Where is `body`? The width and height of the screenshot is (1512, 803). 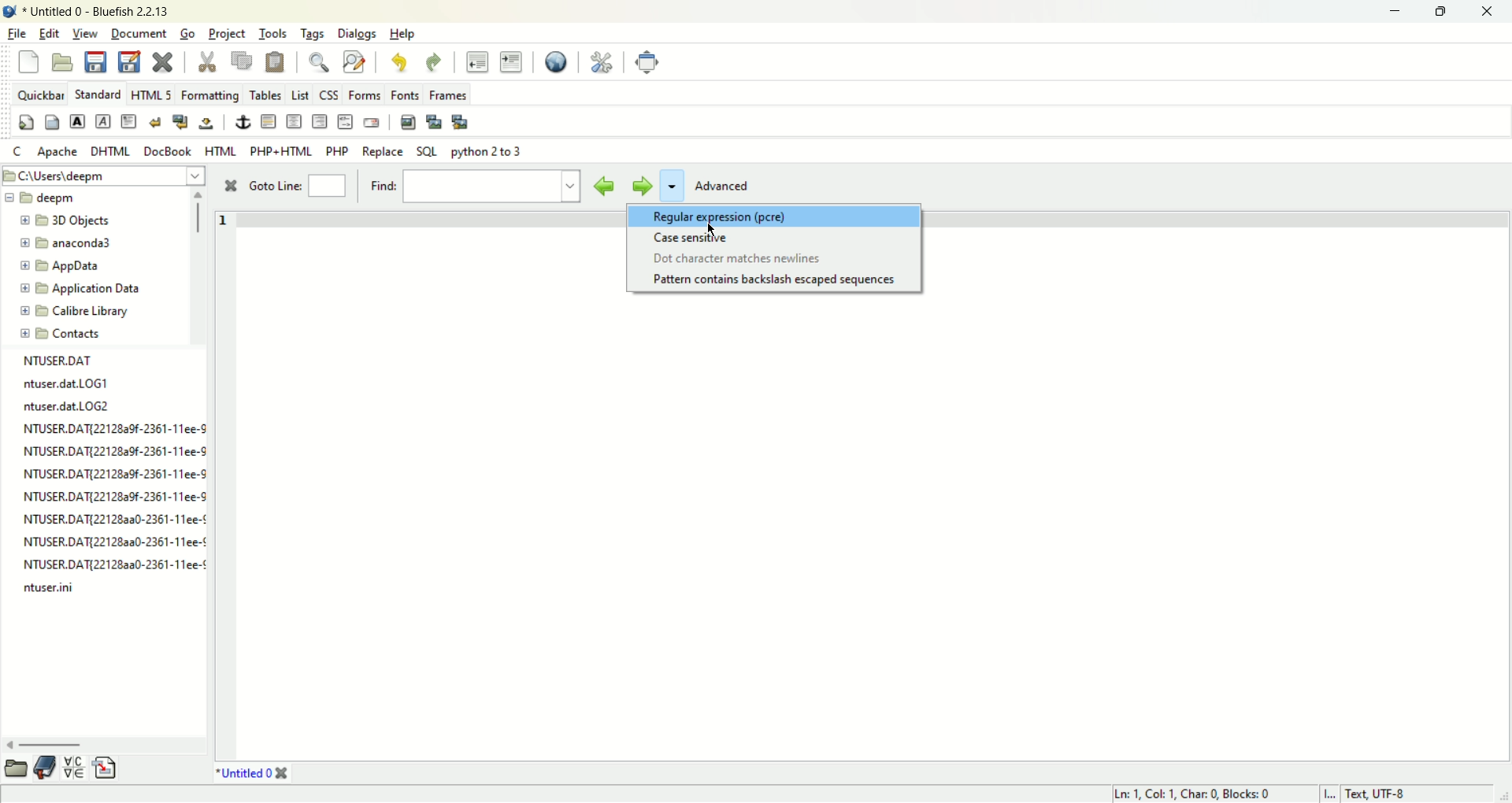
body is located at coordinates (51, 123).